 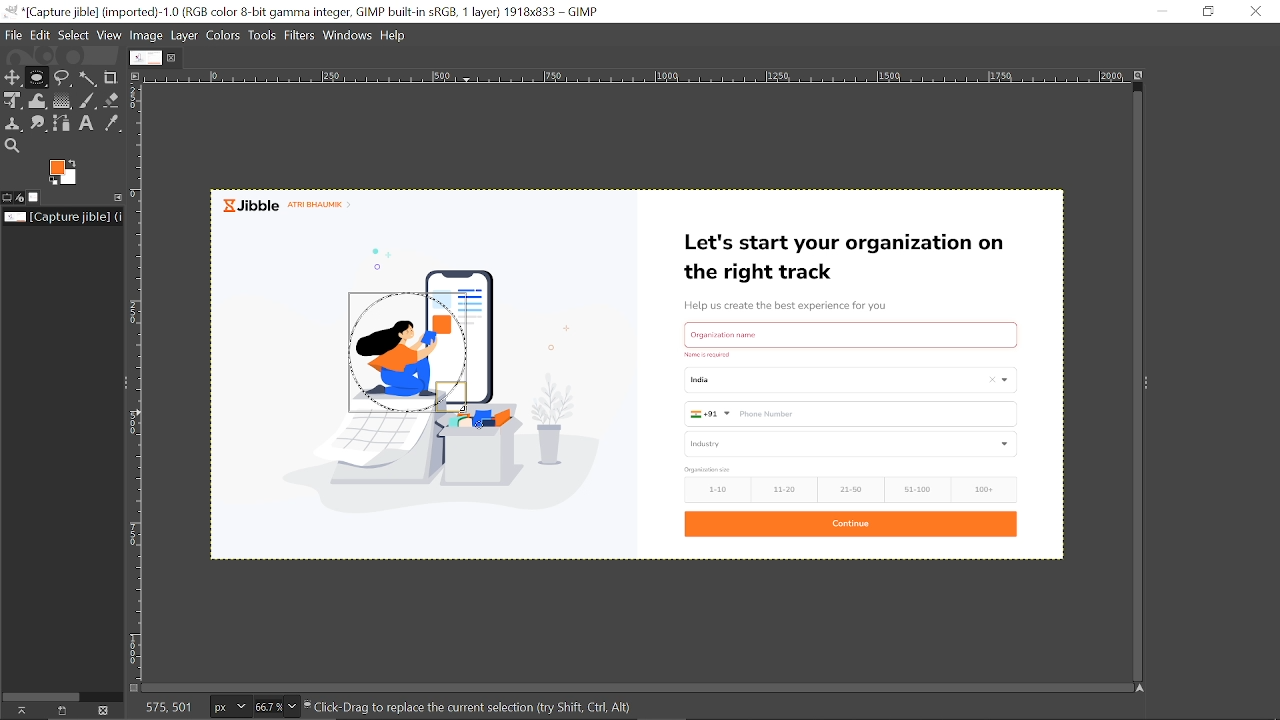 I want to click on Name of the current file, so click(x=64, y=217).